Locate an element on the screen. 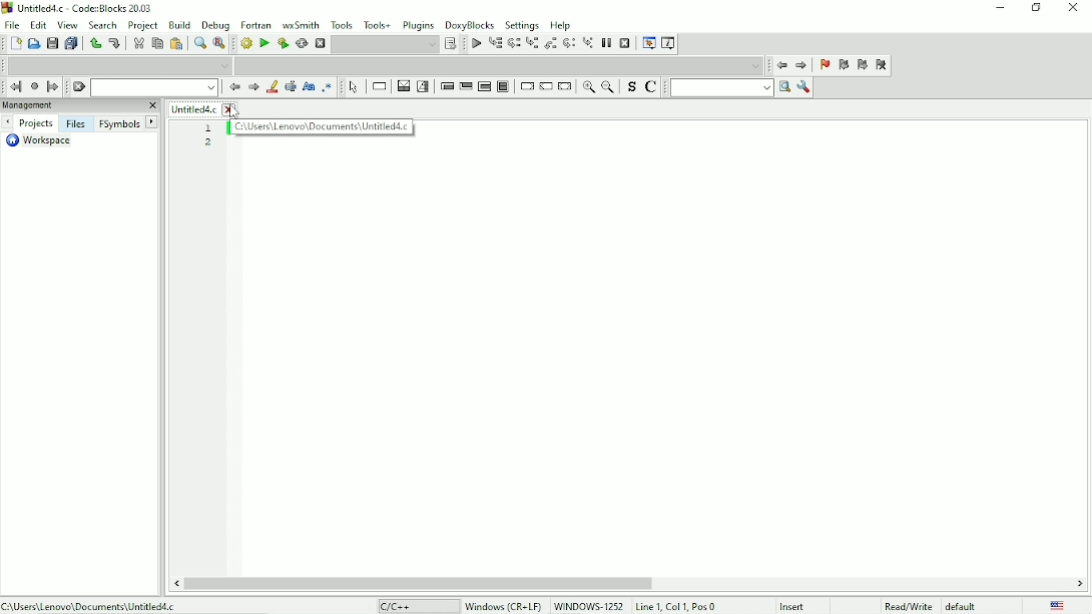  Run to cursor is located at coordinates (494, 43).